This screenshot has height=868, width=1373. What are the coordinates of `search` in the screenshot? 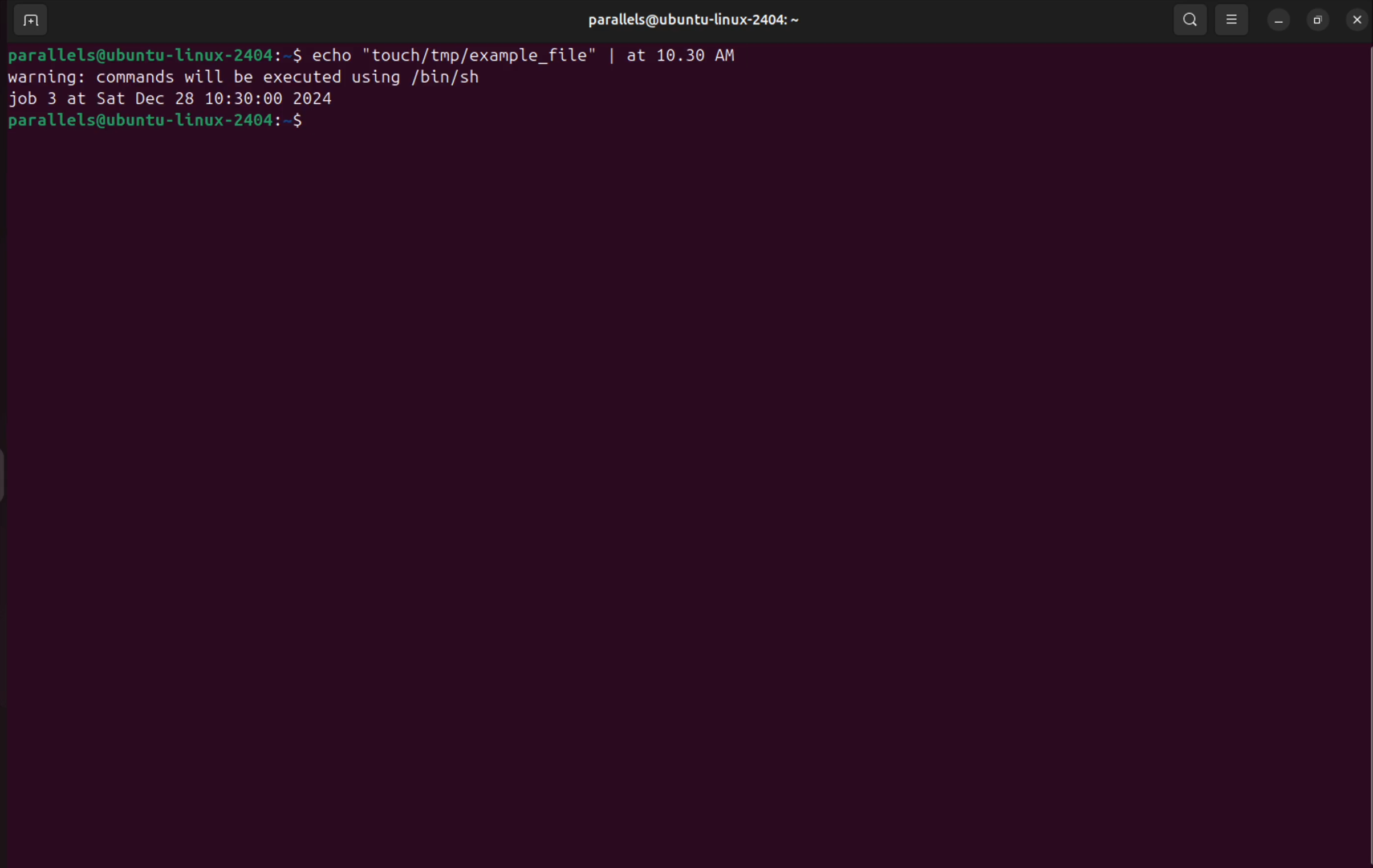 It's located at (1191, 21).